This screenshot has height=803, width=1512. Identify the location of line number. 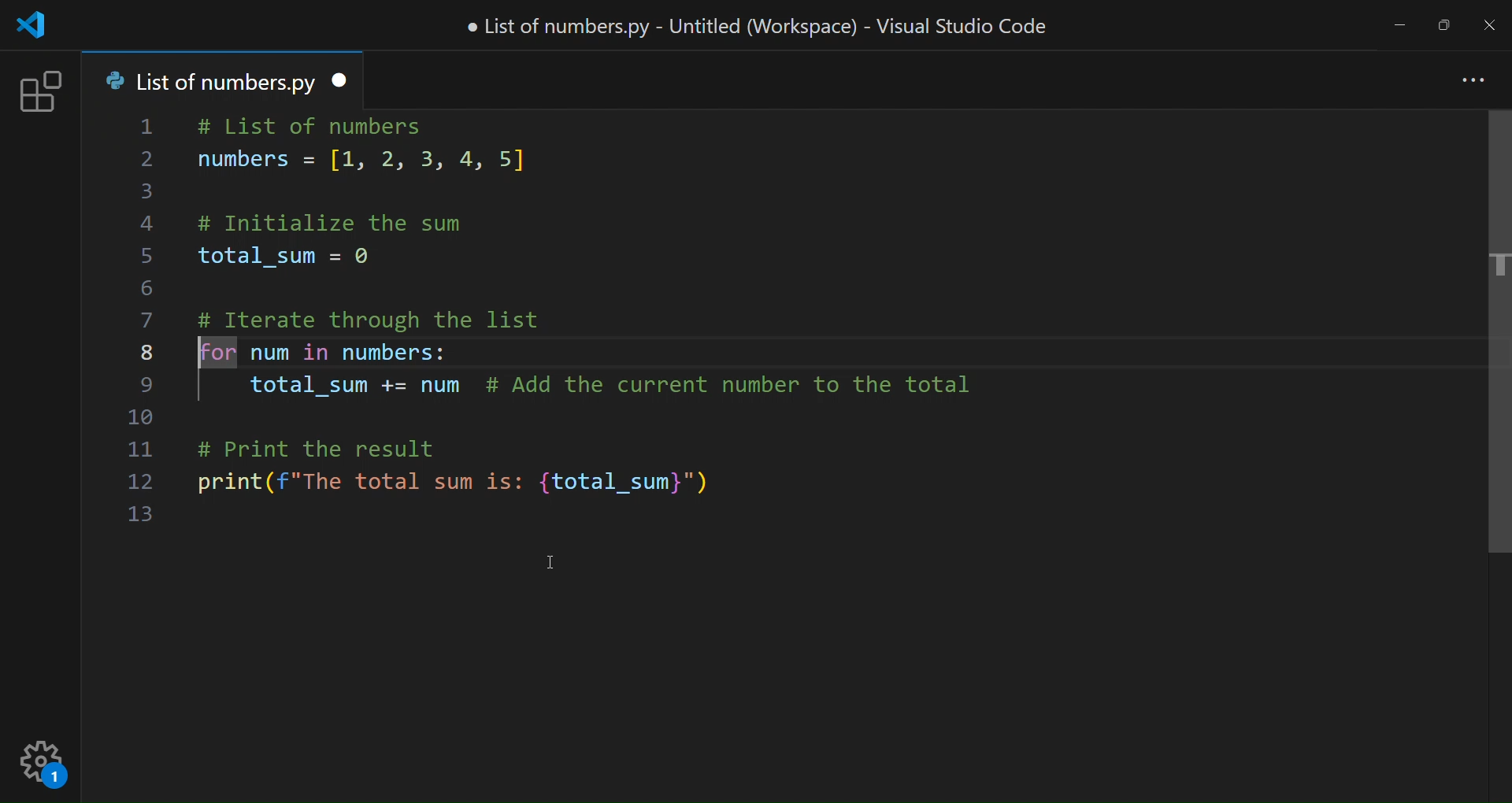
(144, 327).